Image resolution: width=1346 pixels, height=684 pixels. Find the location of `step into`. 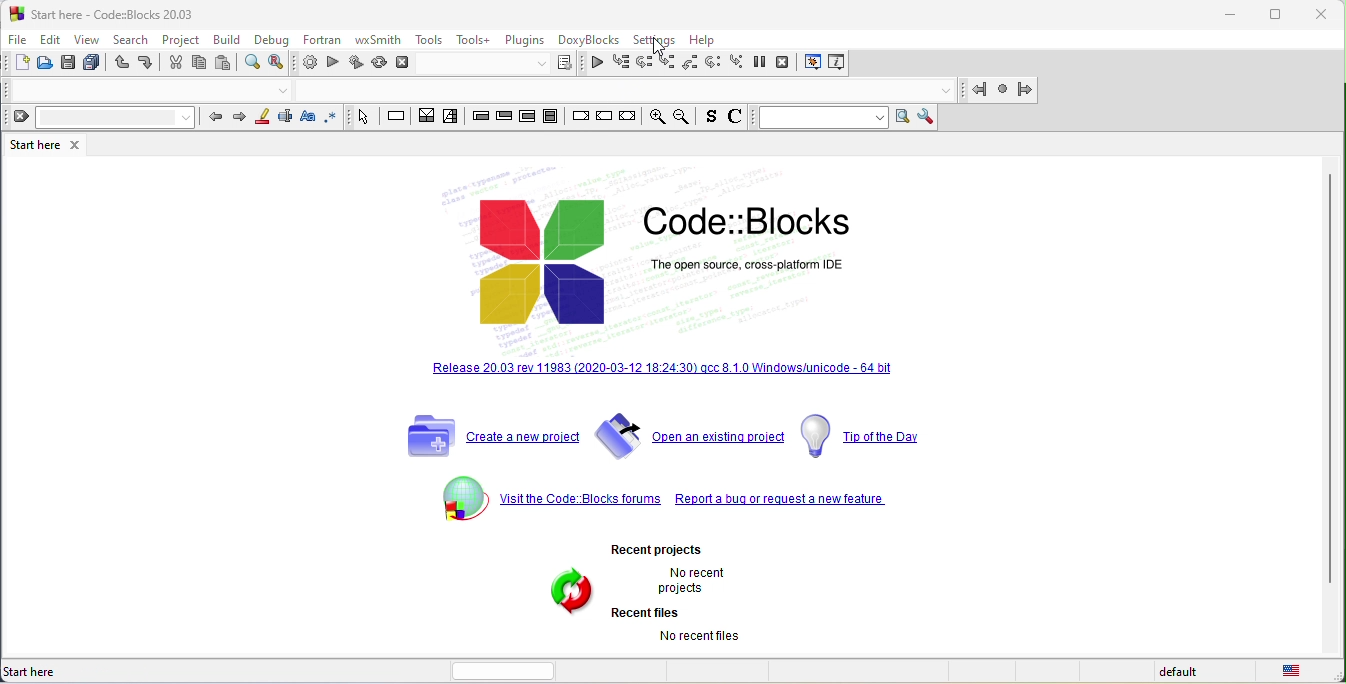

step into is located at coordinates (668, 66).